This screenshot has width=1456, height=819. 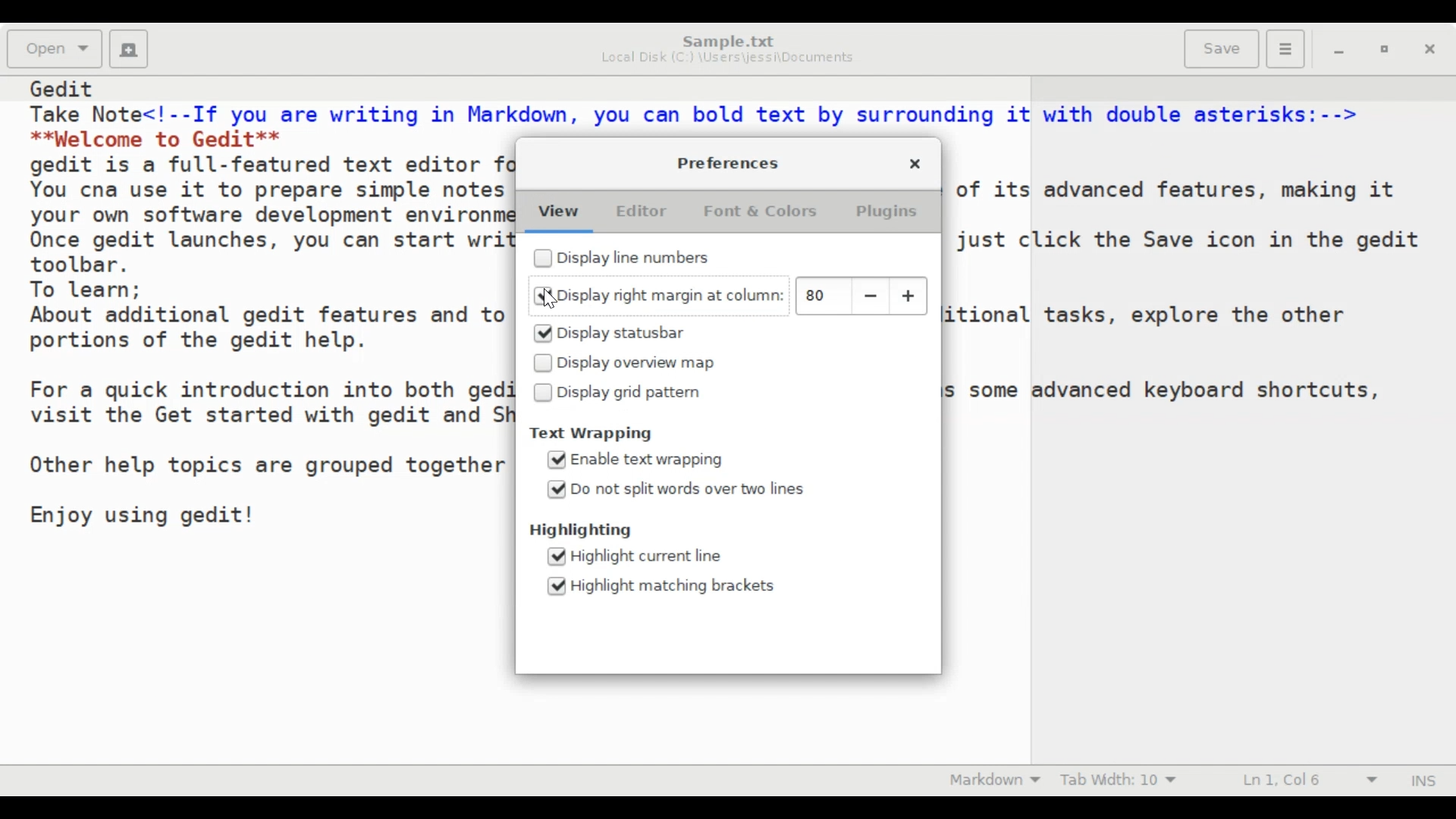 I want to click on Line & Column Preference (Ln 1, Col 6), so click(x=1301, y=782).